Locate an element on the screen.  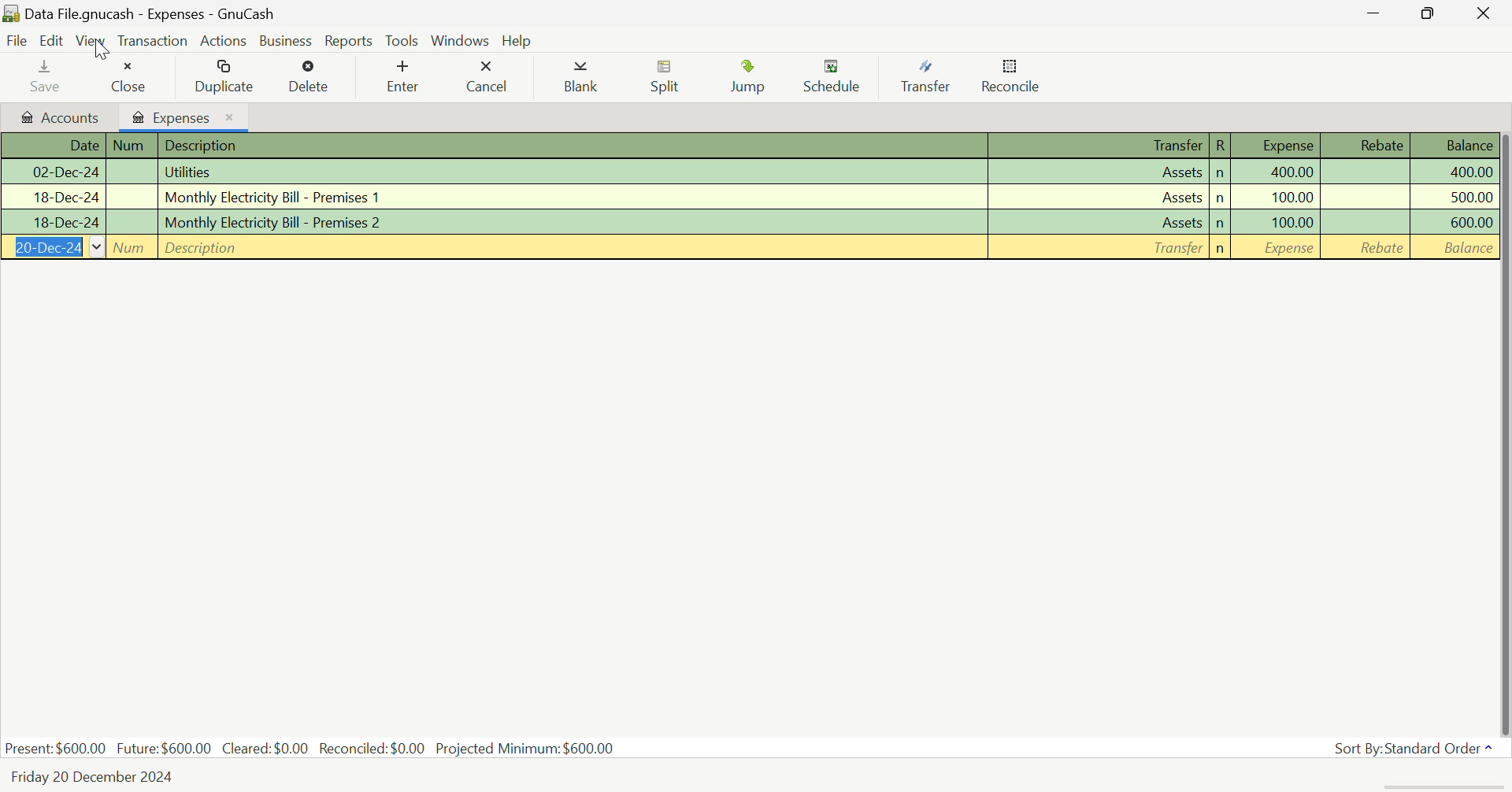
Transfer is located at coordinates (1100, 146).